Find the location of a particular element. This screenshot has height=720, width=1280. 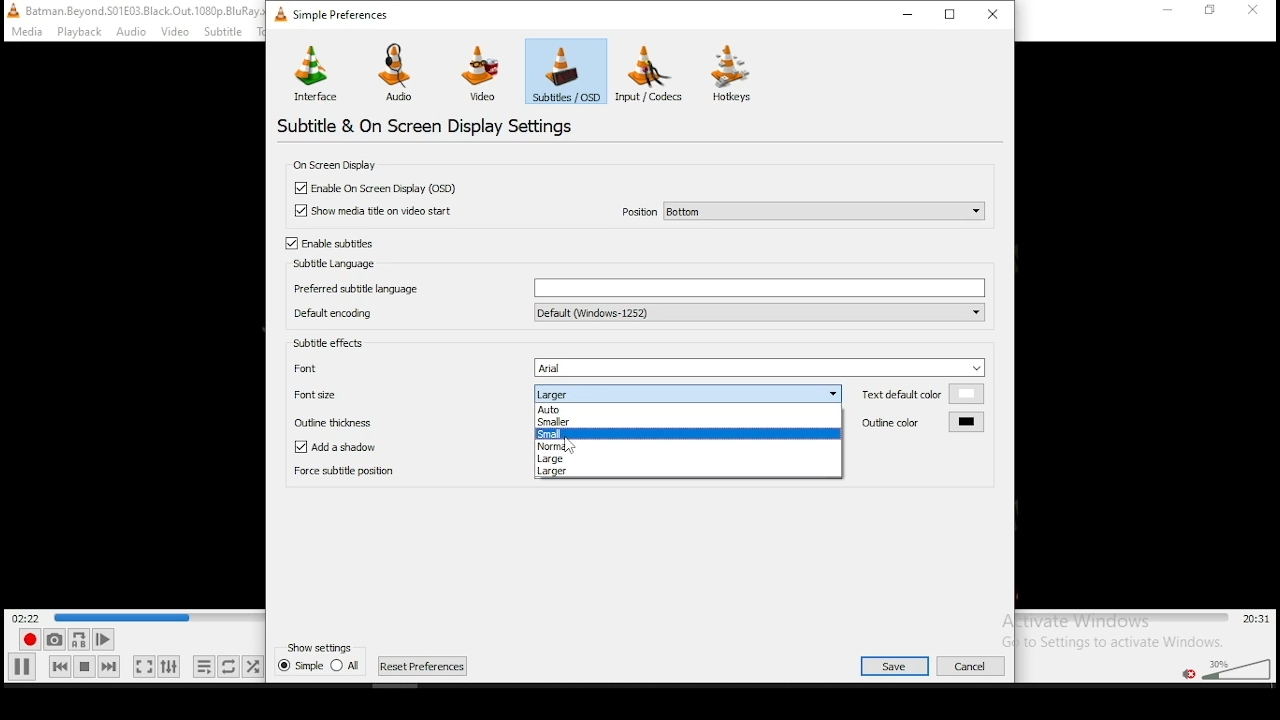

next chapter is located at coordinates (423, 666).